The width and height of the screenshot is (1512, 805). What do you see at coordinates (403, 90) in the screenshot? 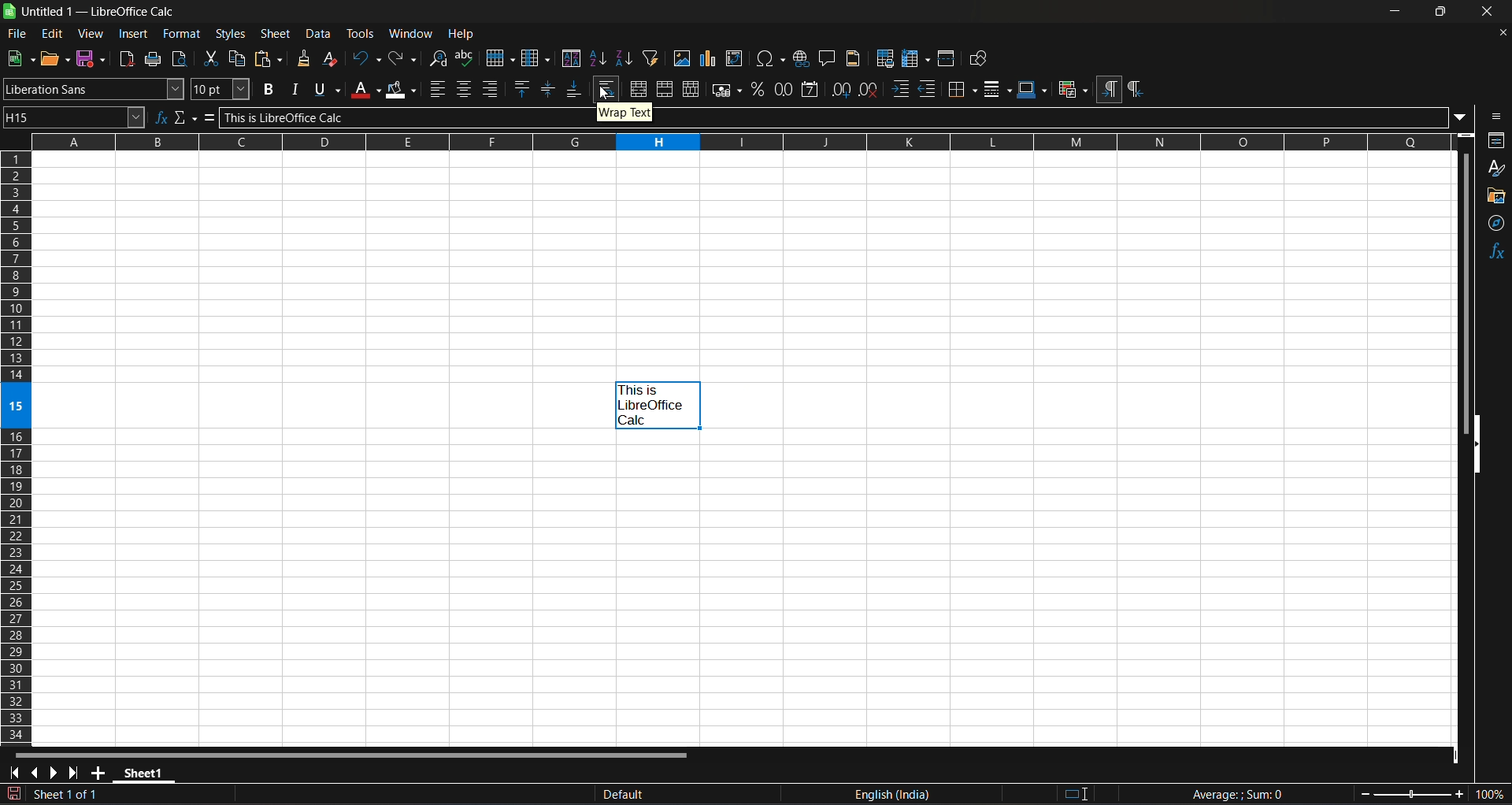
I see `background color` at bounding box center [403, 90].